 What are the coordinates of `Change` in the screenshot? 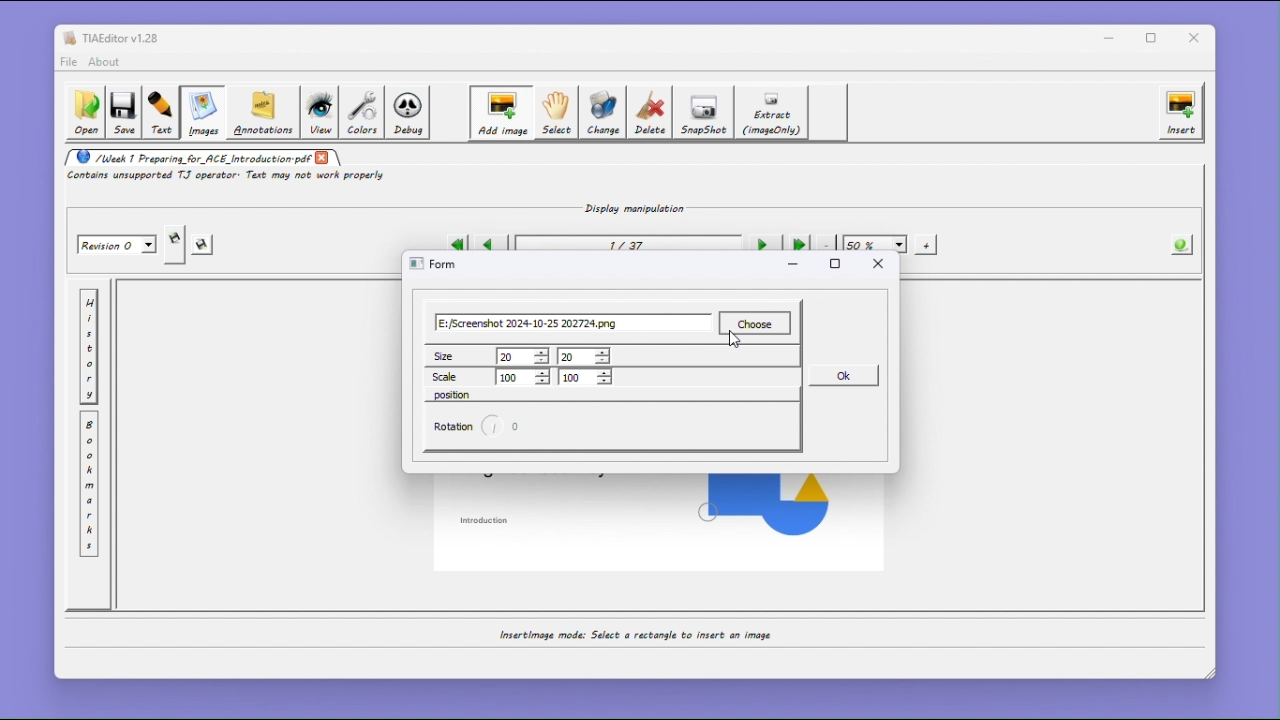 It's located at (604, 112).